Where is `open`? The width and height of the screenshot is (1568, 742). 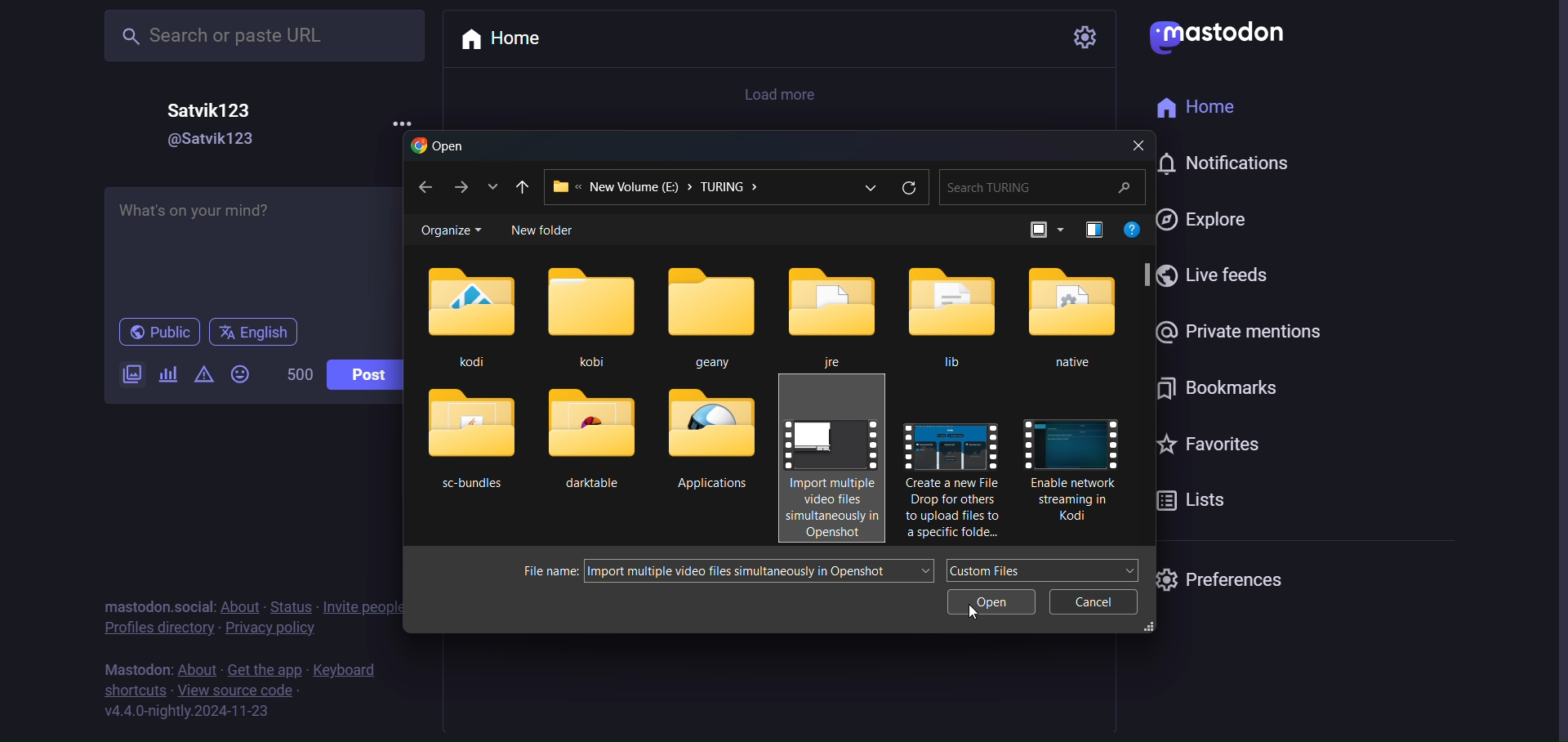
open is located at coordinates (439, 146).